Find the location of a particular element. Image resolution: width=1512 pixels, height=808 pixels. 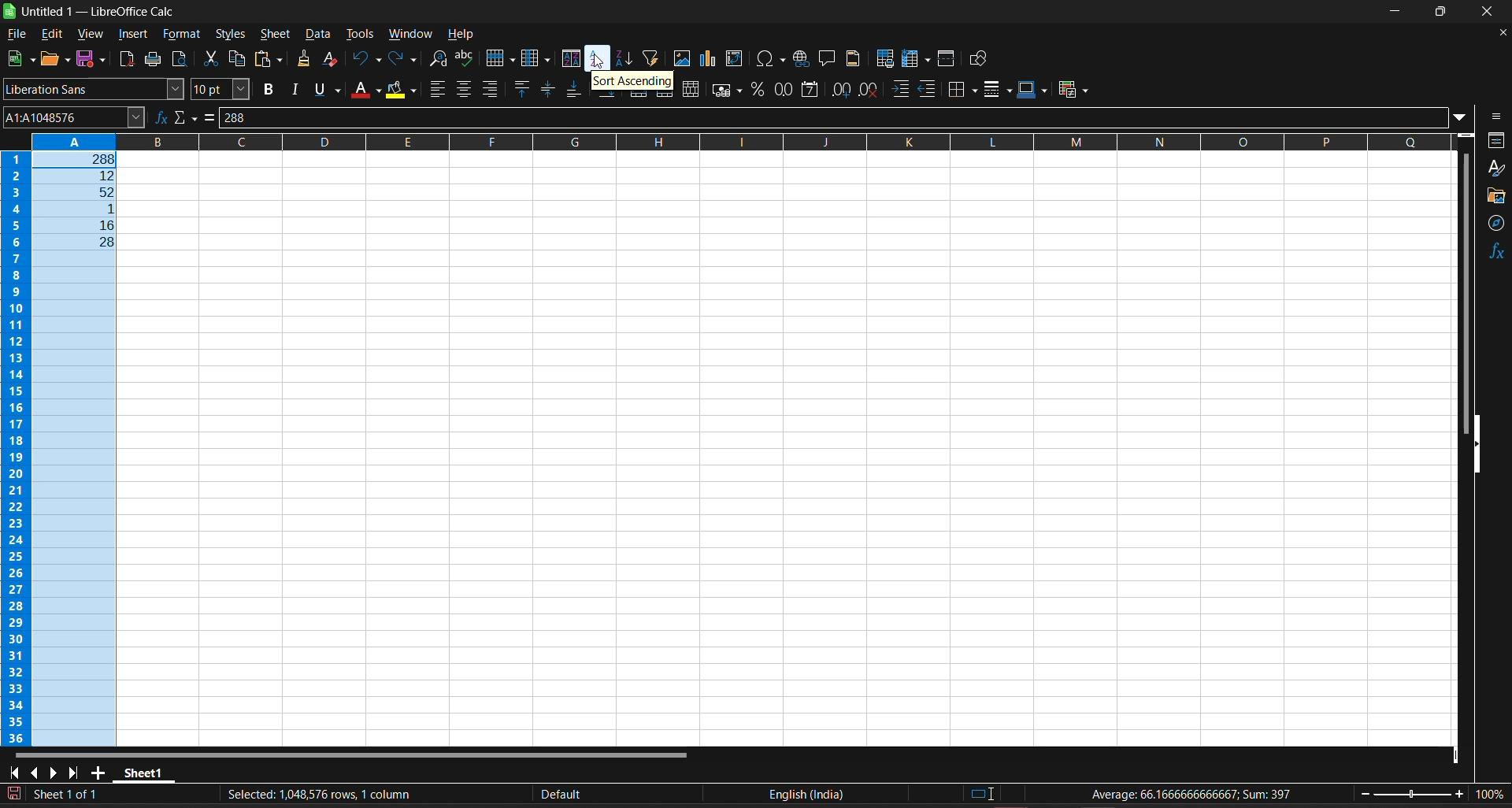

save is located at coordinates (90, 60).